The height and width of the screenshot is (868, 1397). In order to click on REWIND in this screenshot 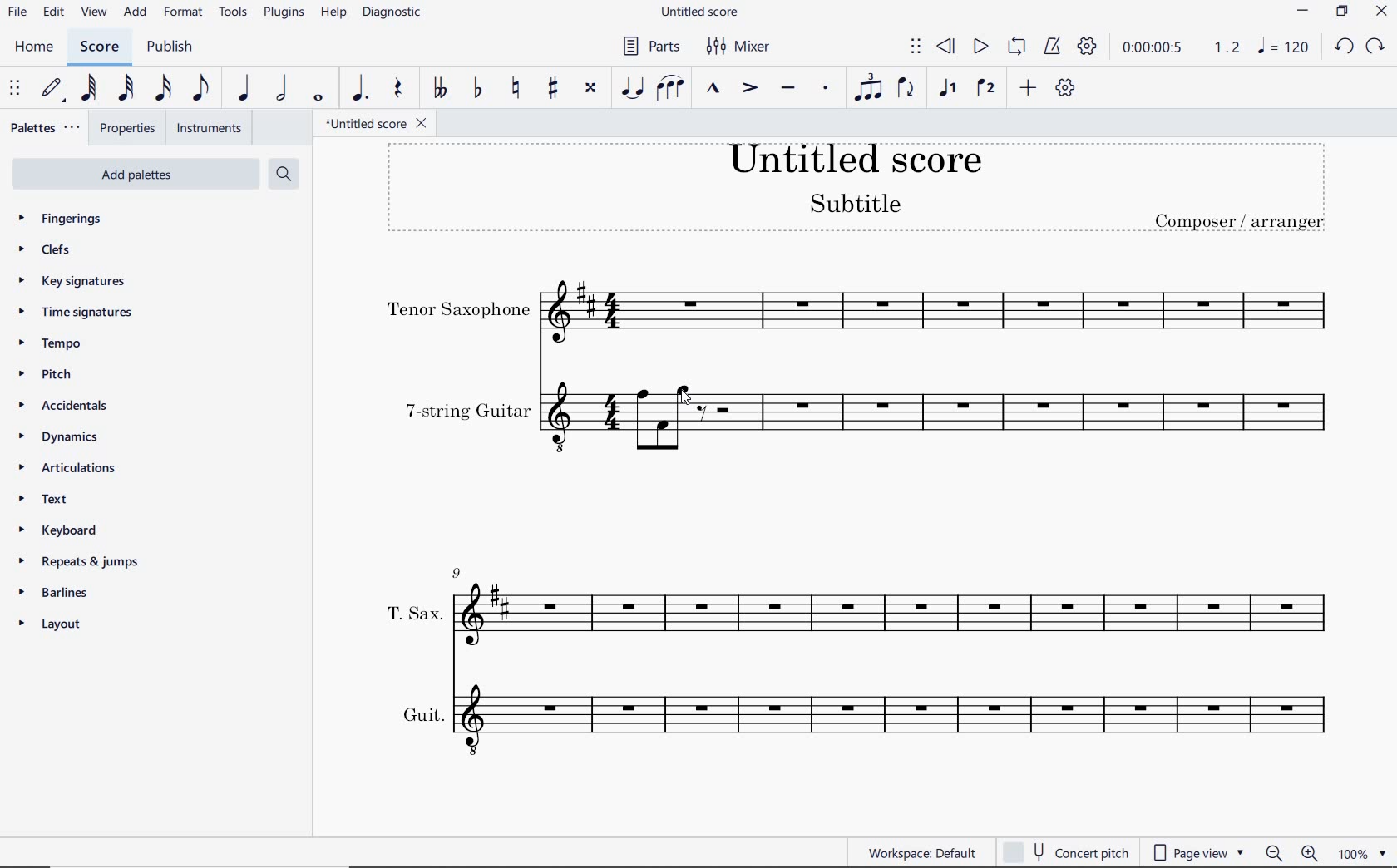, I will do `click(945, 47)`.